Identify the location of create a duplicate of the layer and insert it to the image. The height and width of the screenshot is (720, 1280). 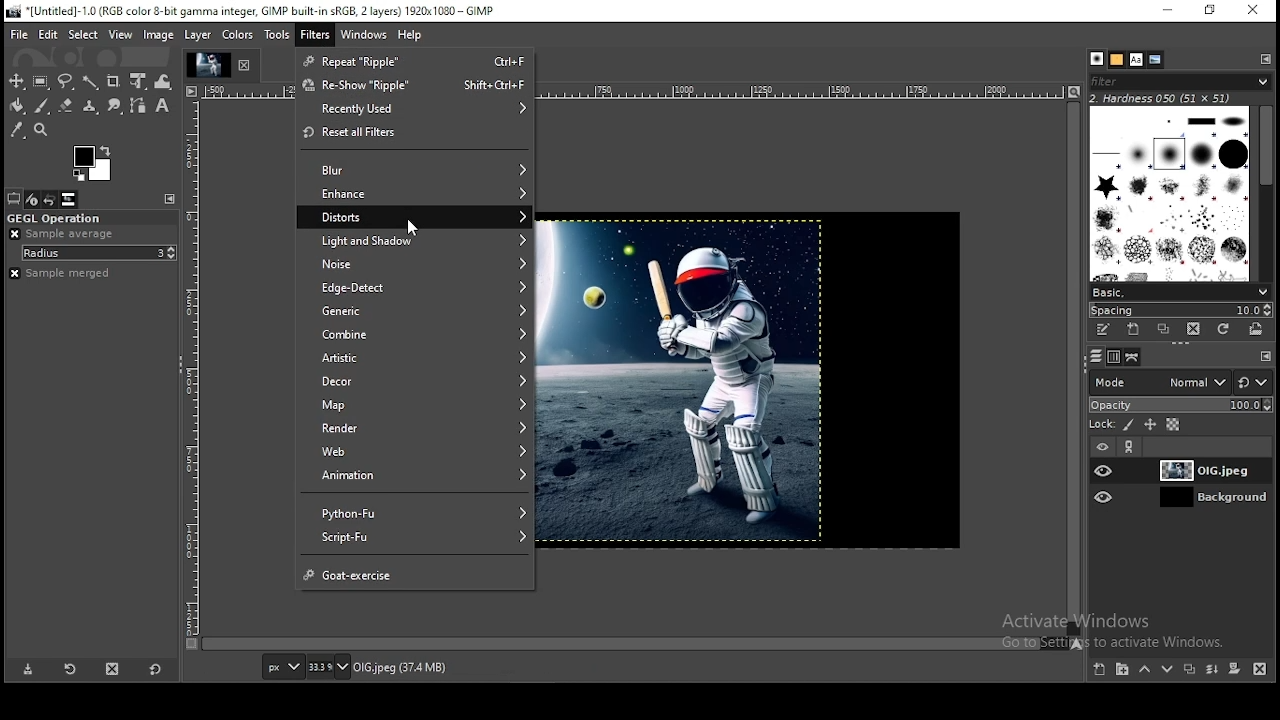
(1192, 668).